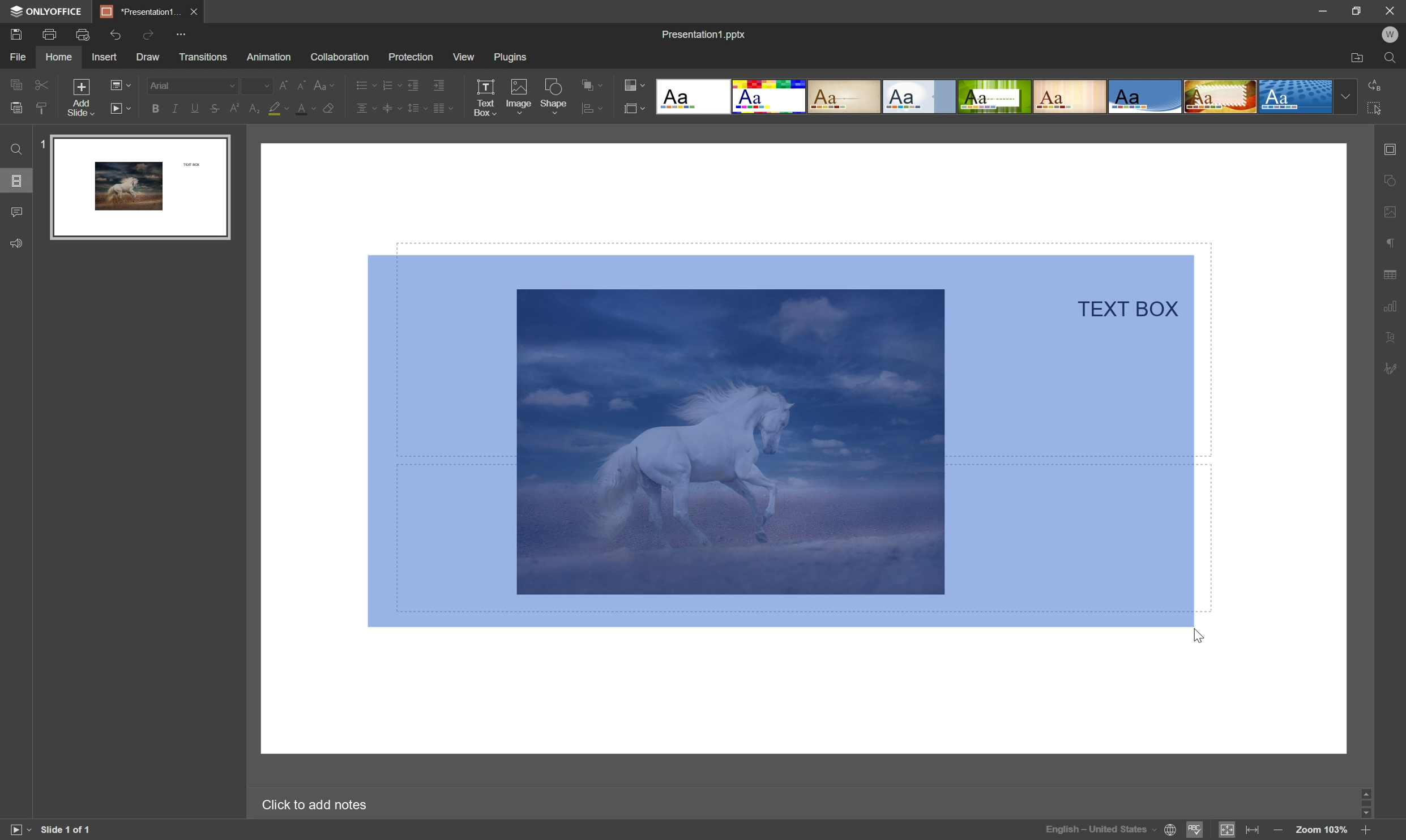  Describe the element at coordinates (443, 108) in the screenshot. I see `insert columns` at that location.